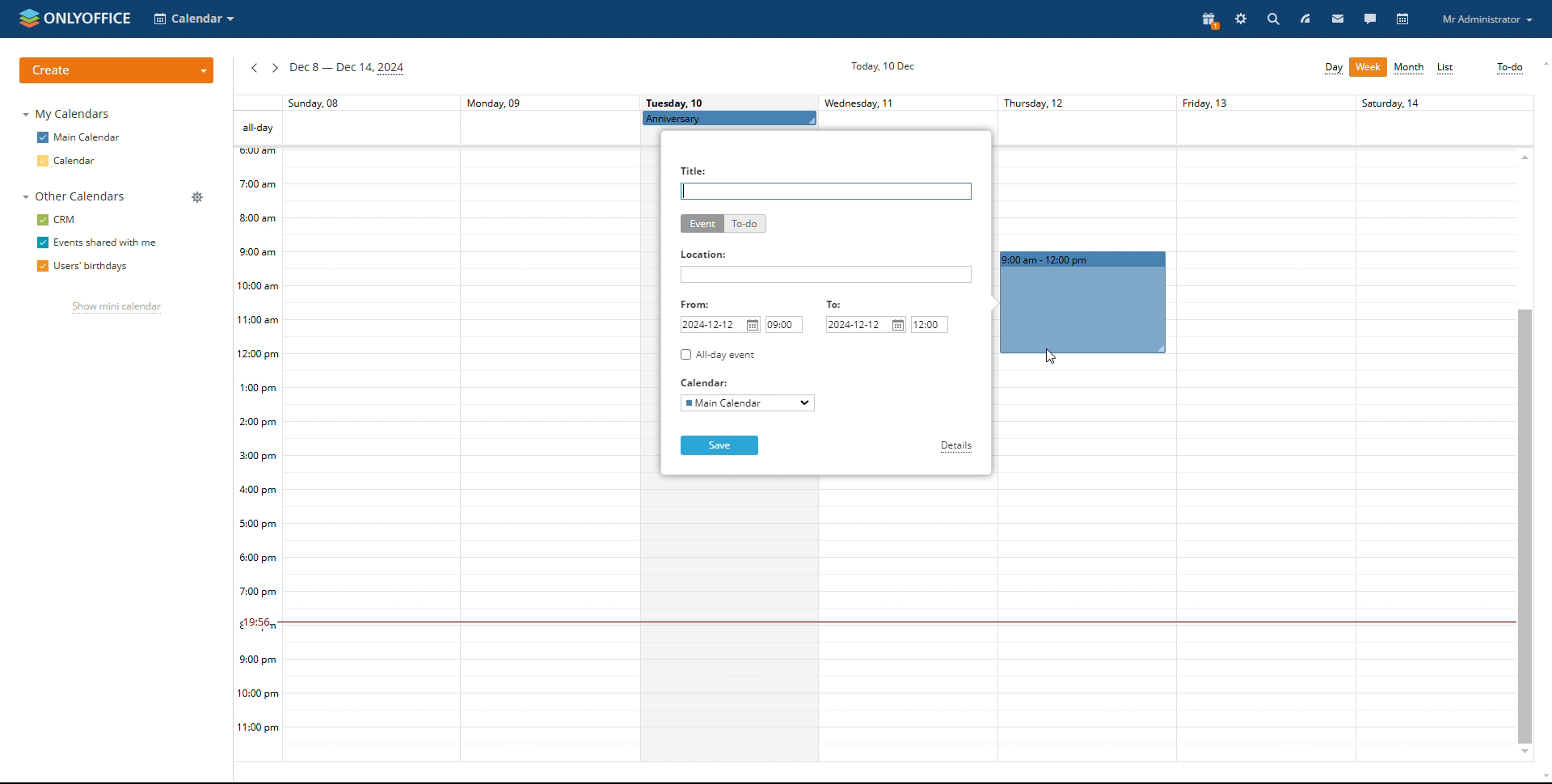  I want to click on , so click(1435, 425).